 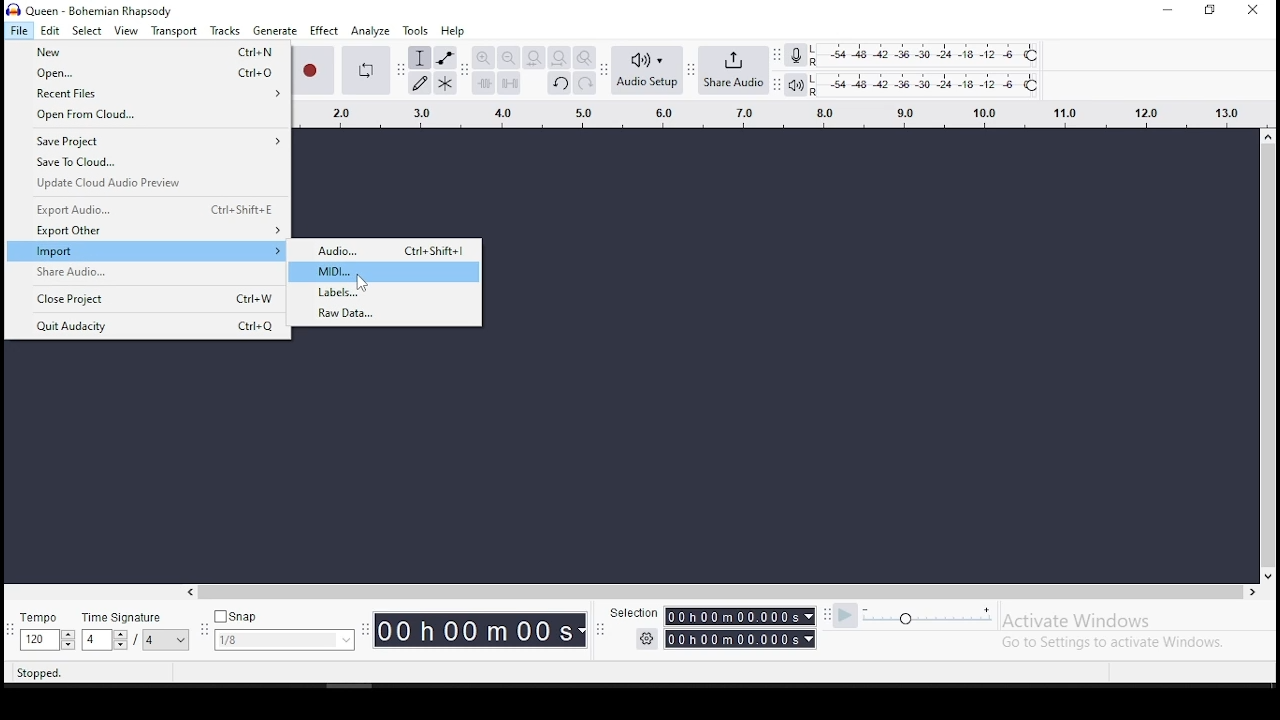 I want to click on icon, so click(x=92, y=9).